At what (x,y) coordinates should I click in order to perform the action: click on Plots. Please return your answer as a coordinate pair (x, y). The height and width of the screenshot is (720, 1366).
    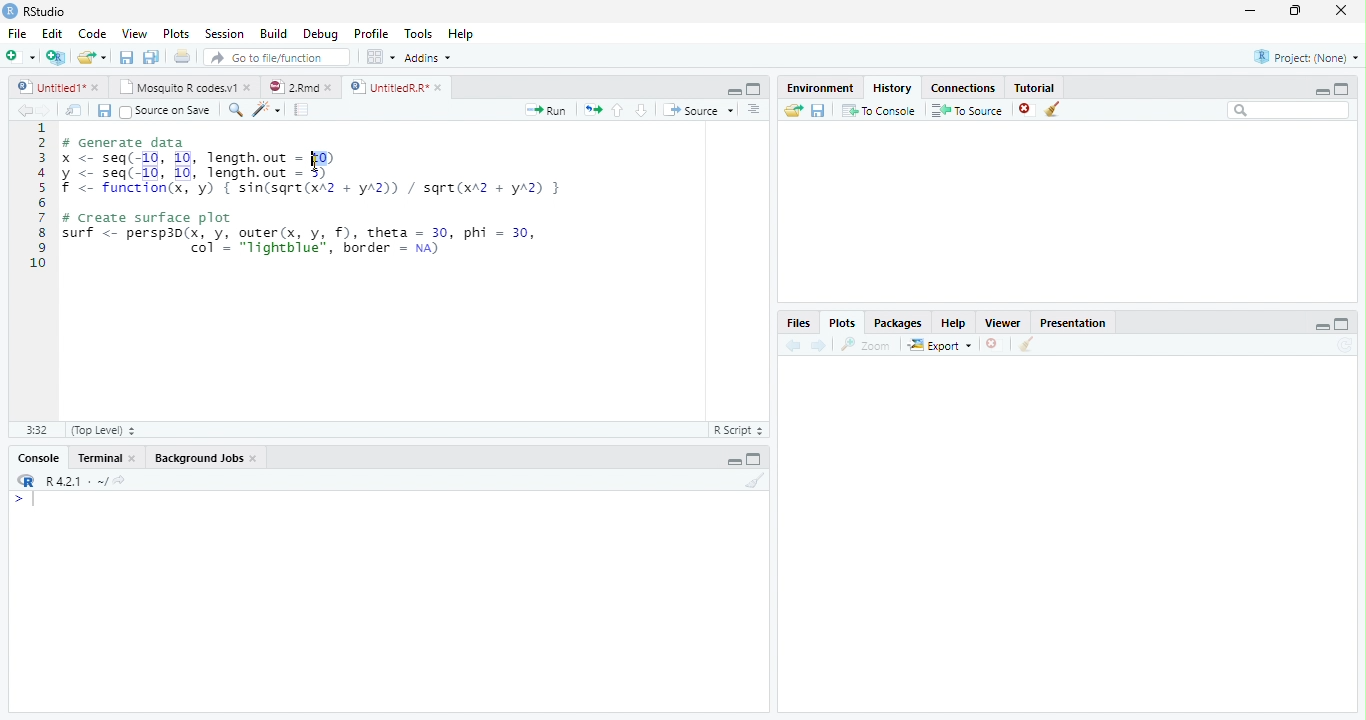
    Looking at the image, I should click on (175, 33).